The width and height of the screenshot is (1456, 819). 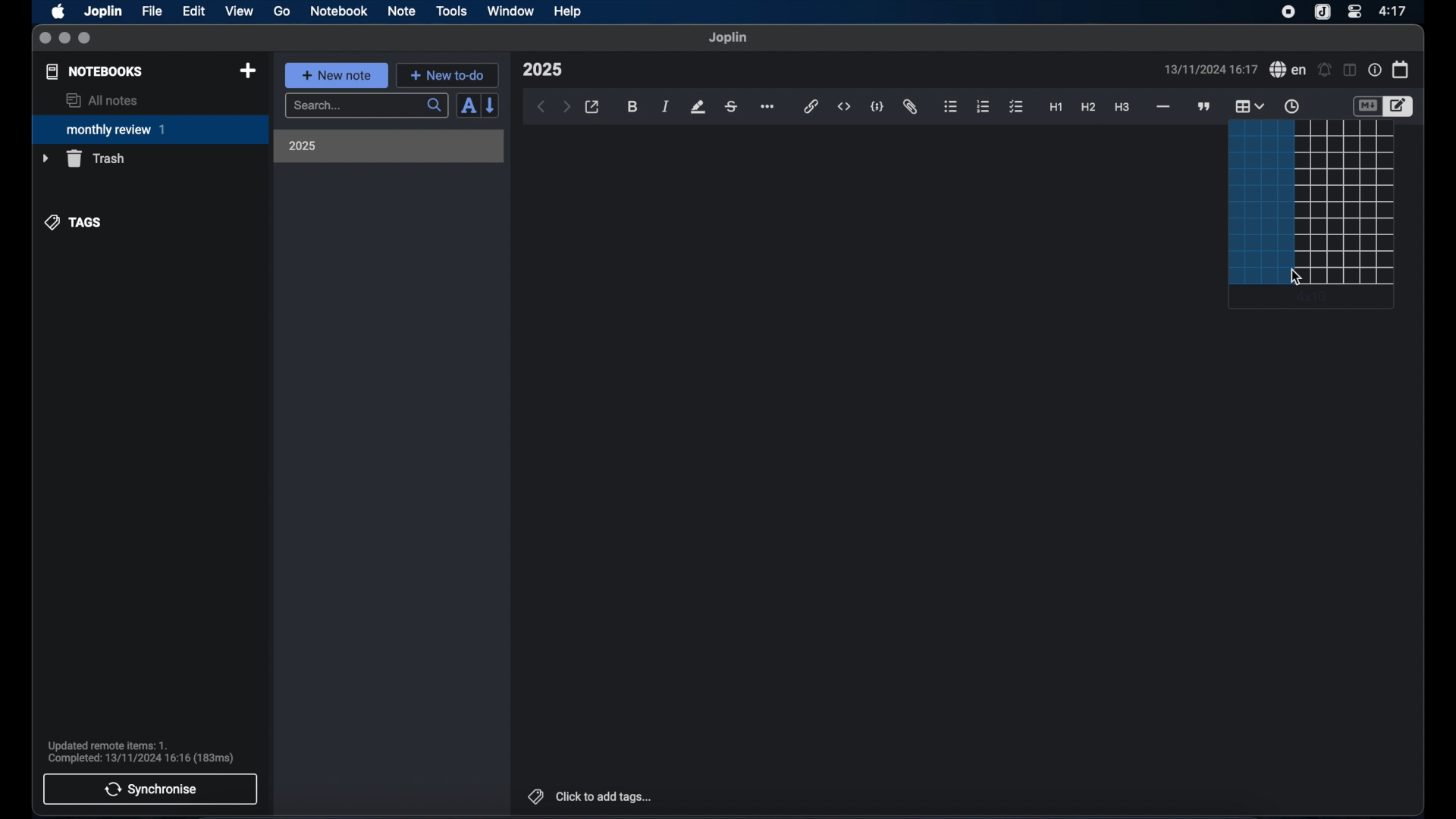 What do you see at coordinates (566, 108) in the screenshot?
I see `forward` at bounding box center [566, 108].